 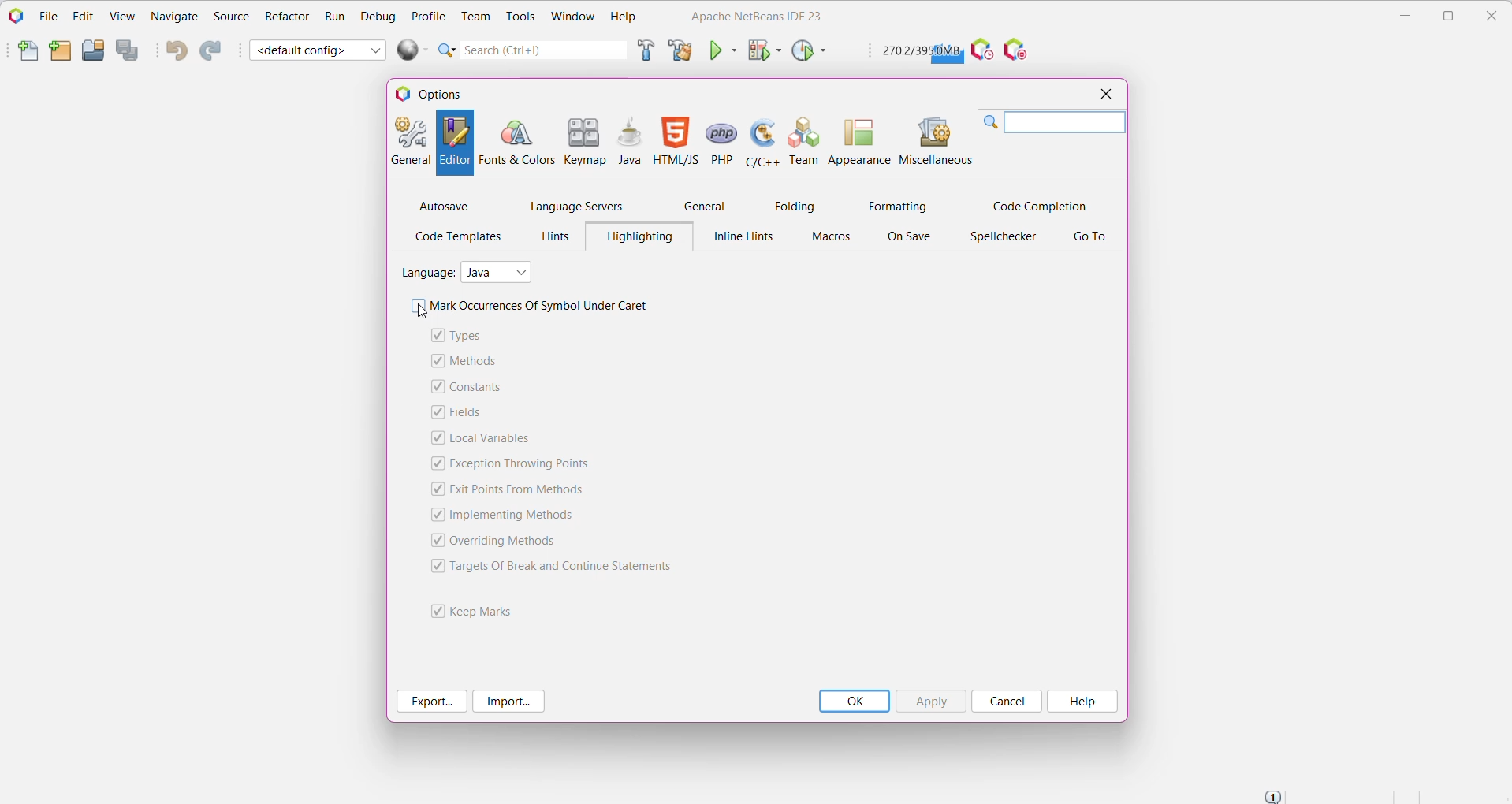 I want to click on checkbox, so click(x=435, y=412).